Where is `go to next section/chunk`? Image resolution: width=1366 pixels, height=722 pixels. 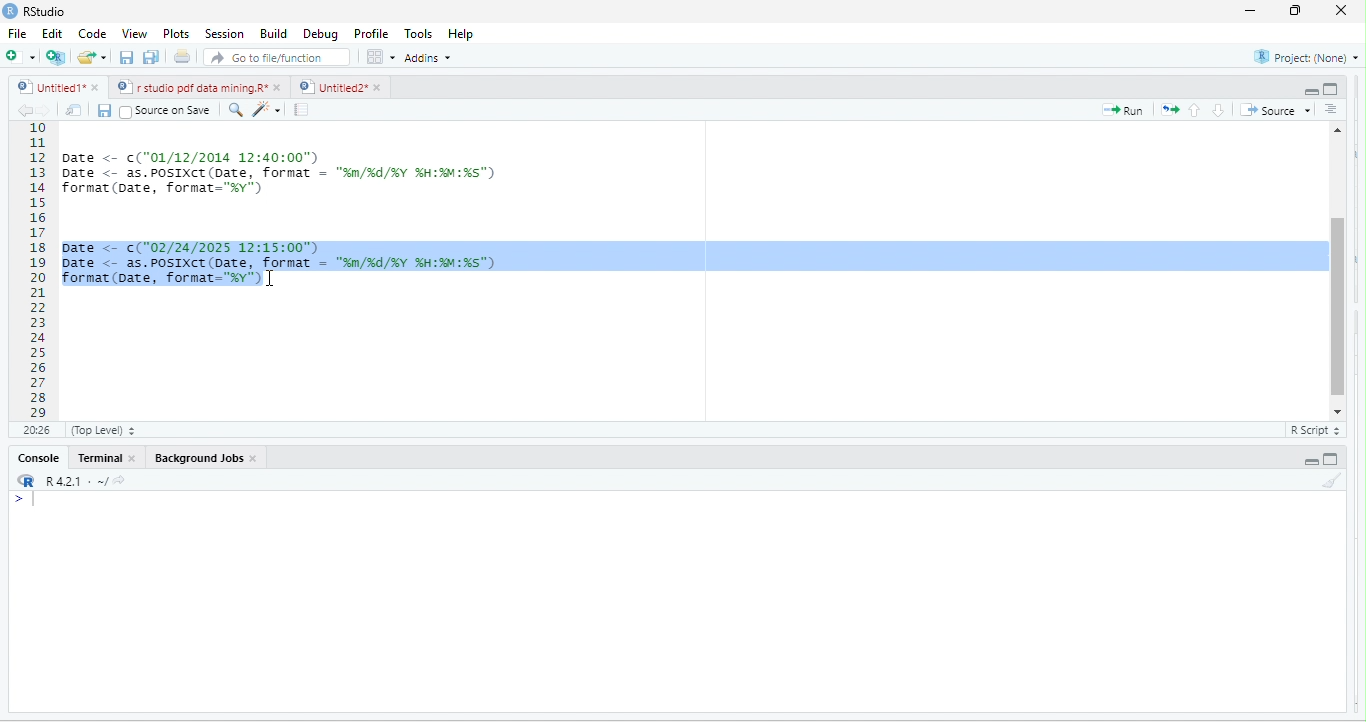 go to next section/chunk is located at coordinates (1219, 110).